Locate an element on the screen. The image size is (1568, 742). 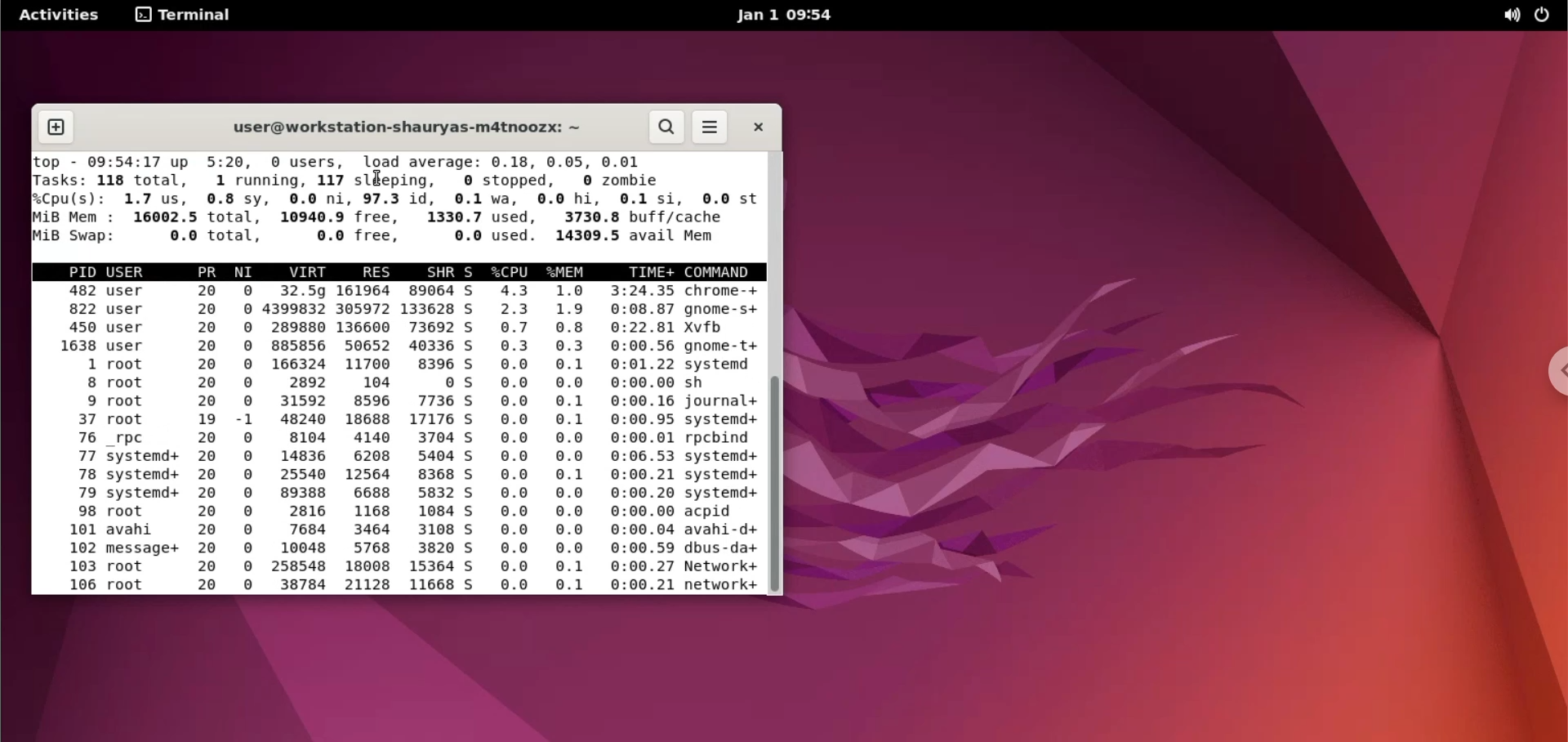
terminal  is located at coordinates (185, 17).